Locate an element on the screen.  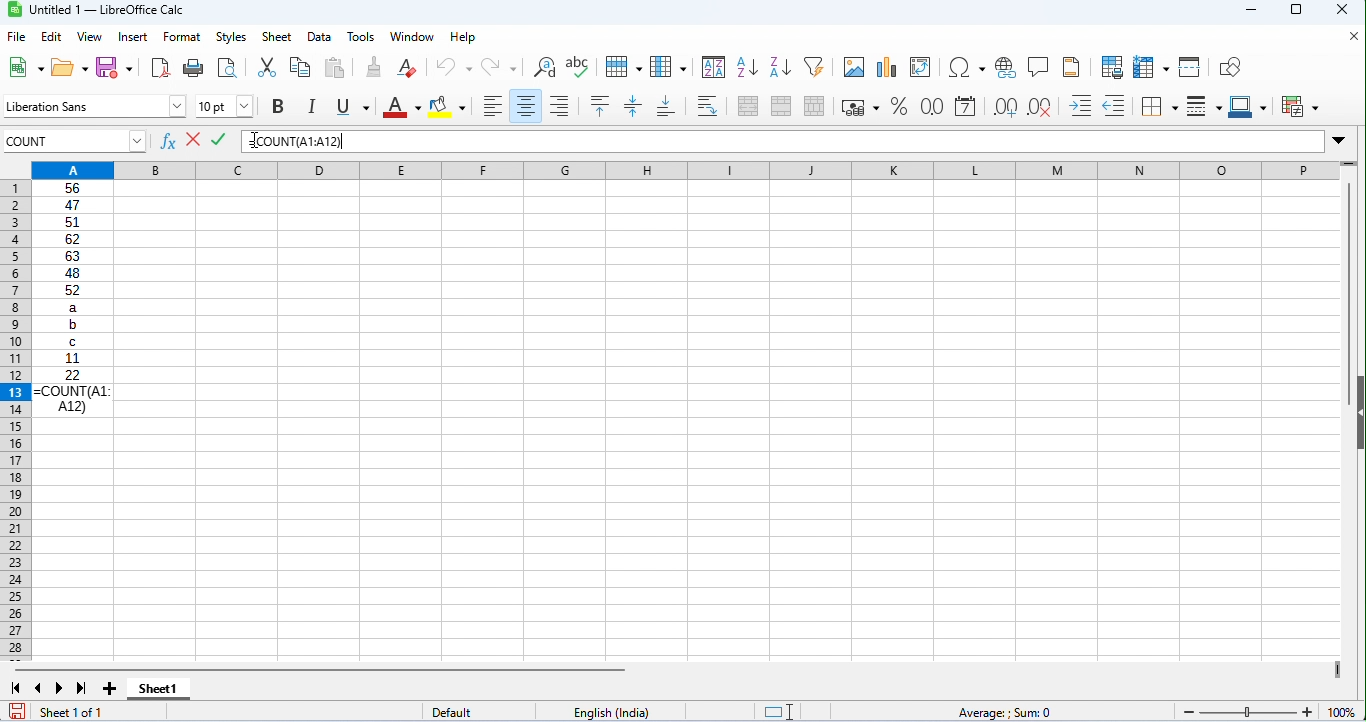
align left is located at coordinates (490, 106).